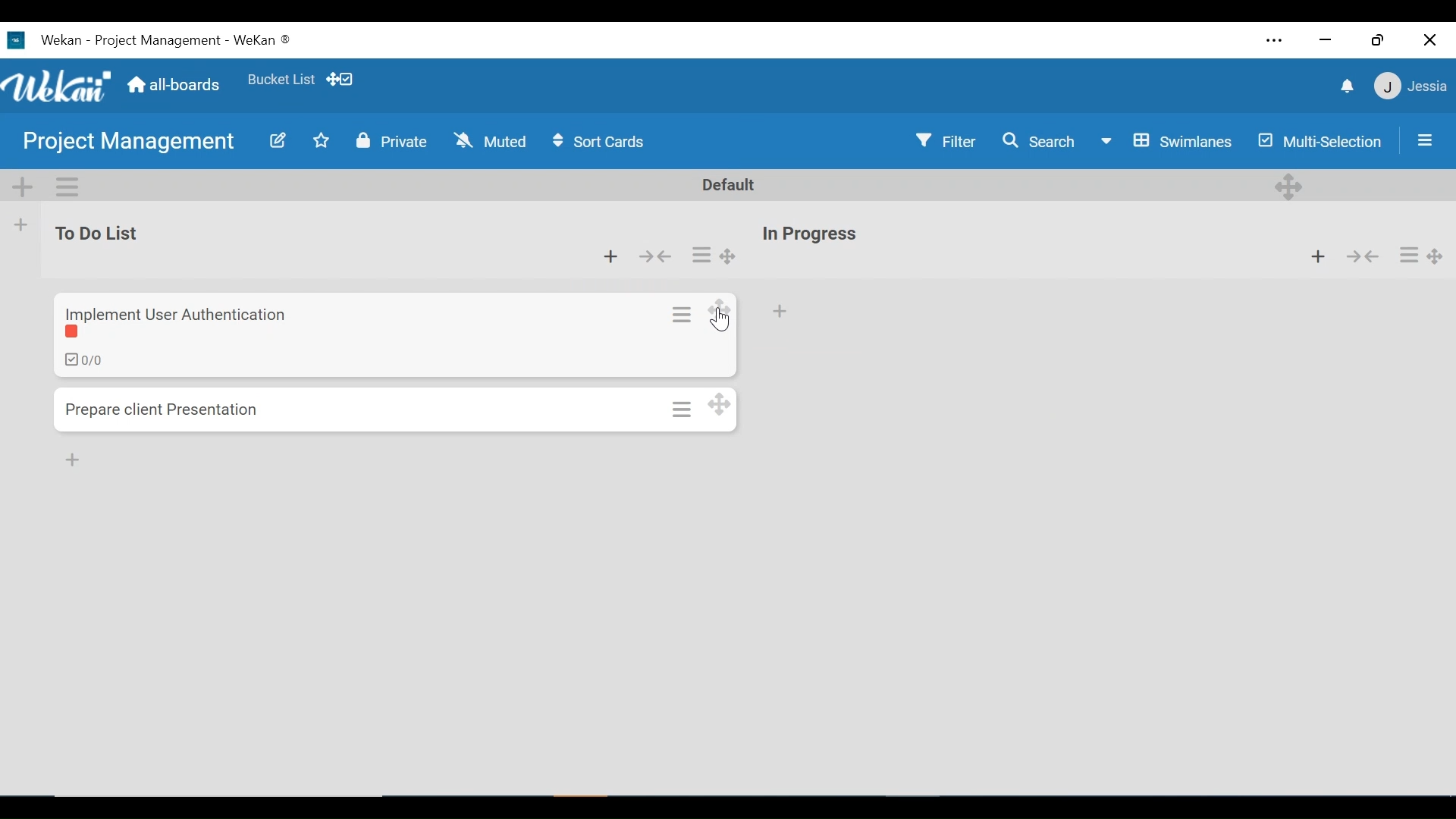 The width and height of the screenshot is (1456, 819). What do you see at coordinates (76, 332) in the screenshot?
I see `Label` at bounding box center [76, 332].